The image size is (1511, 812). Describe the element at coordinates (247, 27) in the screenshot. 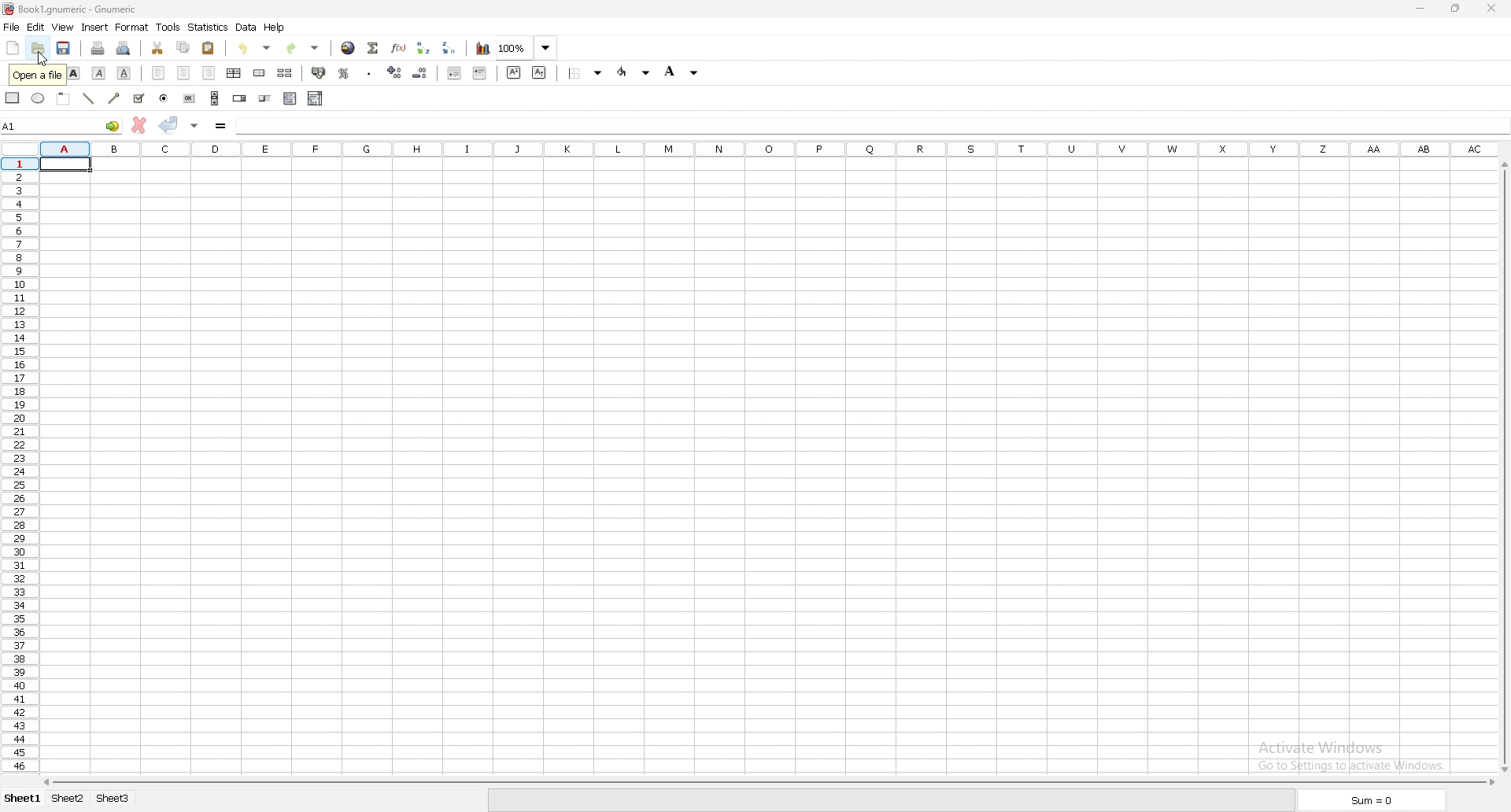

I see `data` at that location.